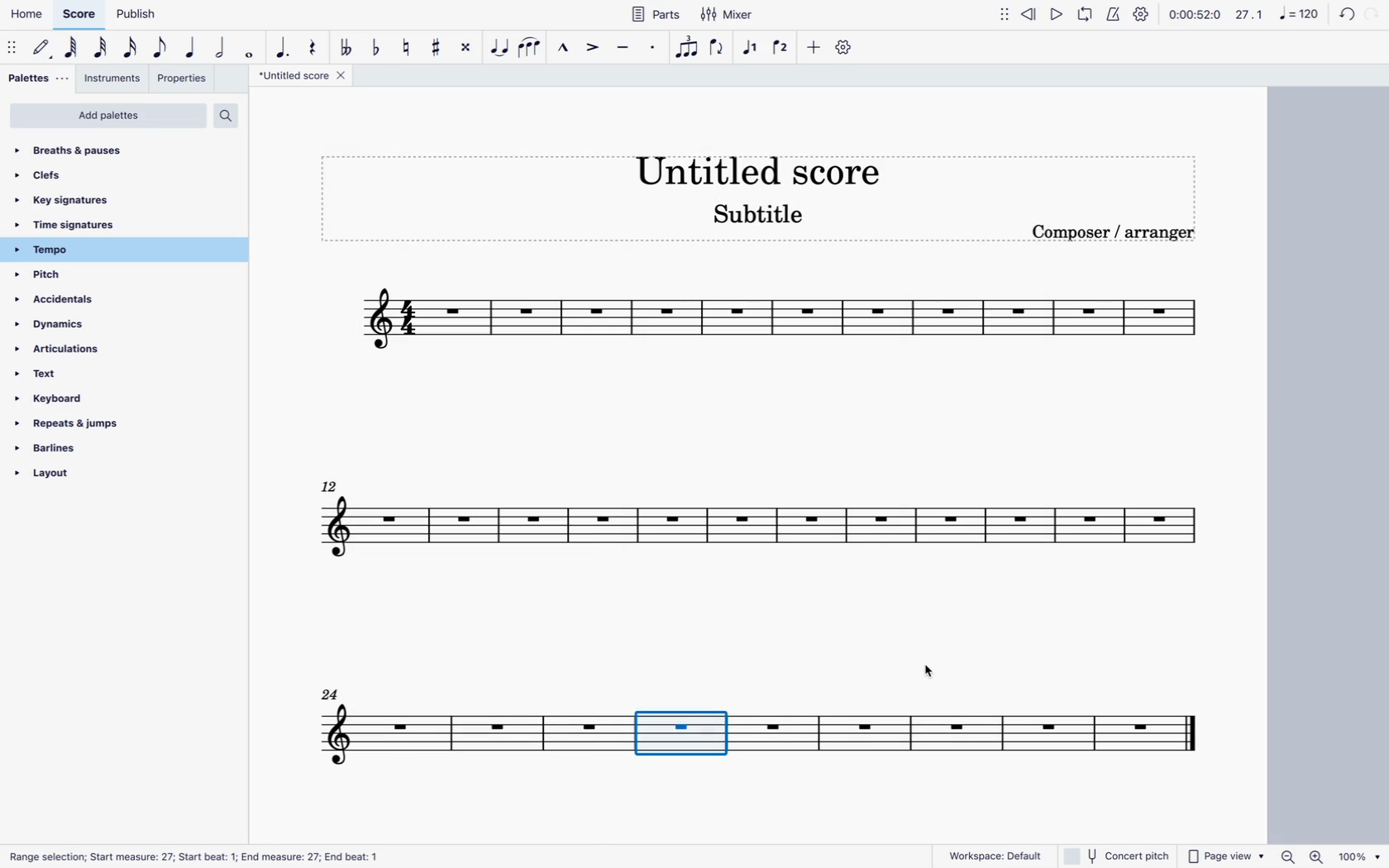 This screenshot has height=868, width=1389. What do you see at coordinates (43, 46) in the screenshot?
I see `default` at bounding box center [43, 46].